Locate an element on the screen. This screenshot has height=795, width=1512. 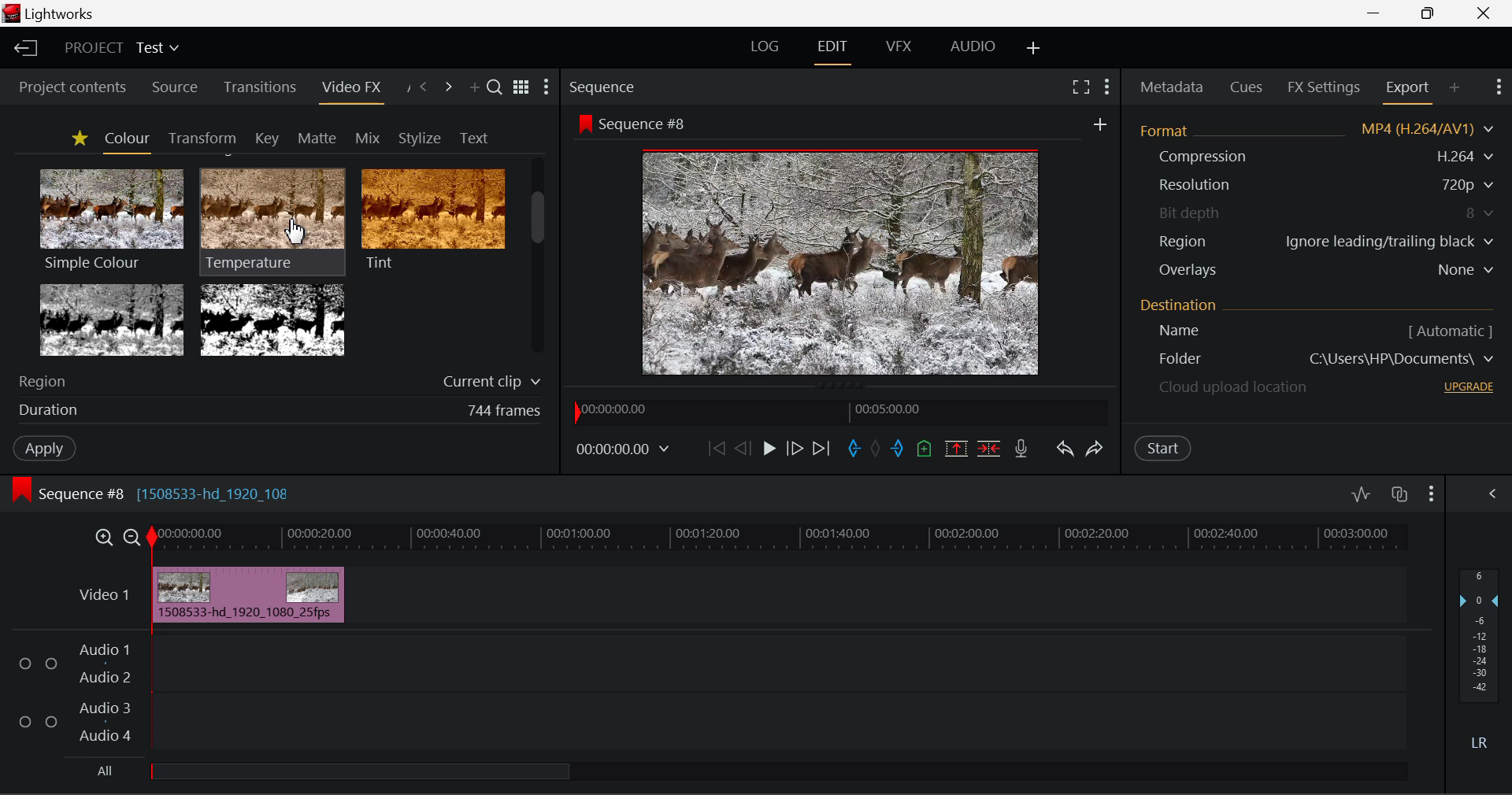
Tri-tone is located at coordinates (113, 319).